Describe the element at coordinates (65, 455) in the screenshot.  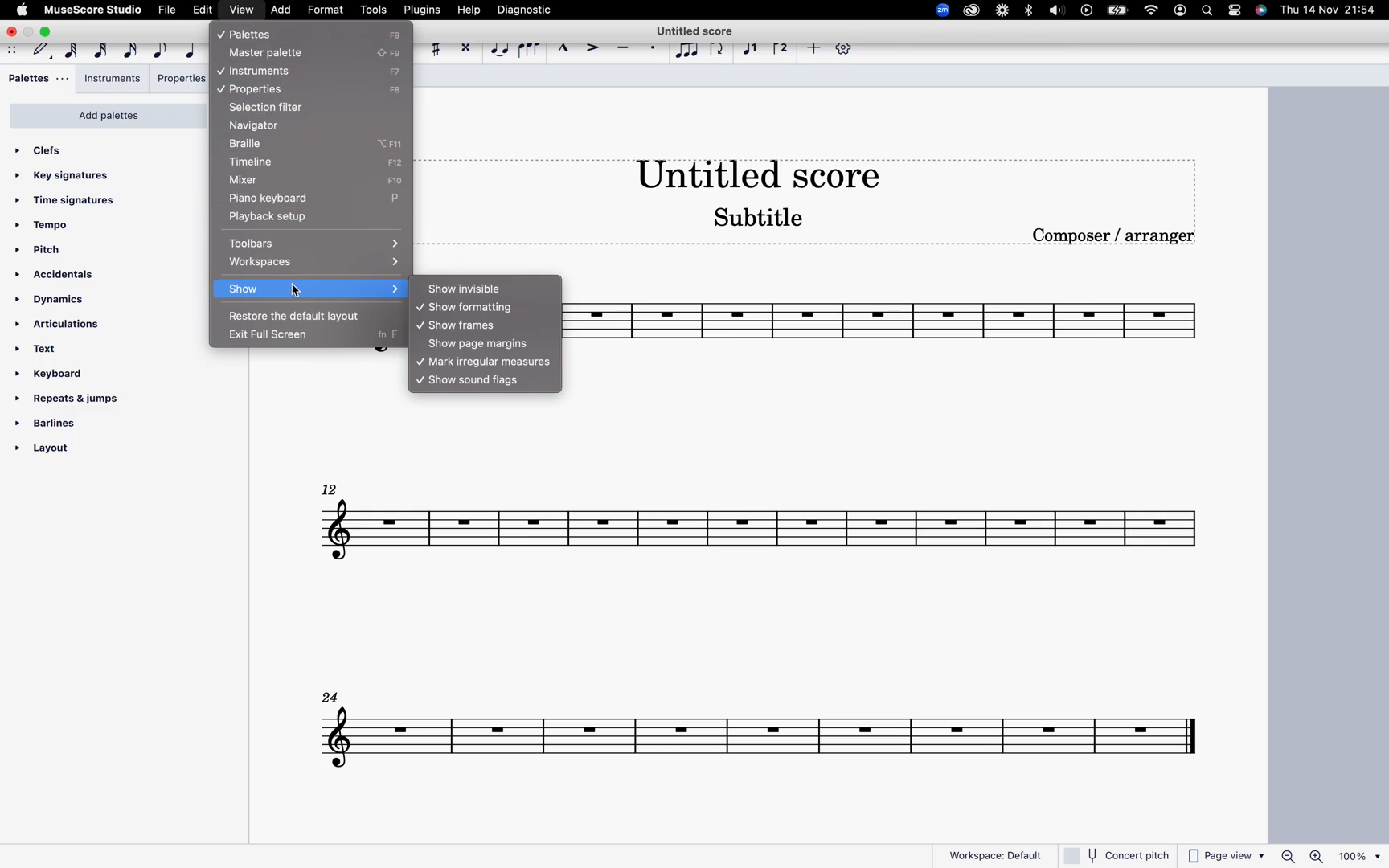
I see `layout` at that location.